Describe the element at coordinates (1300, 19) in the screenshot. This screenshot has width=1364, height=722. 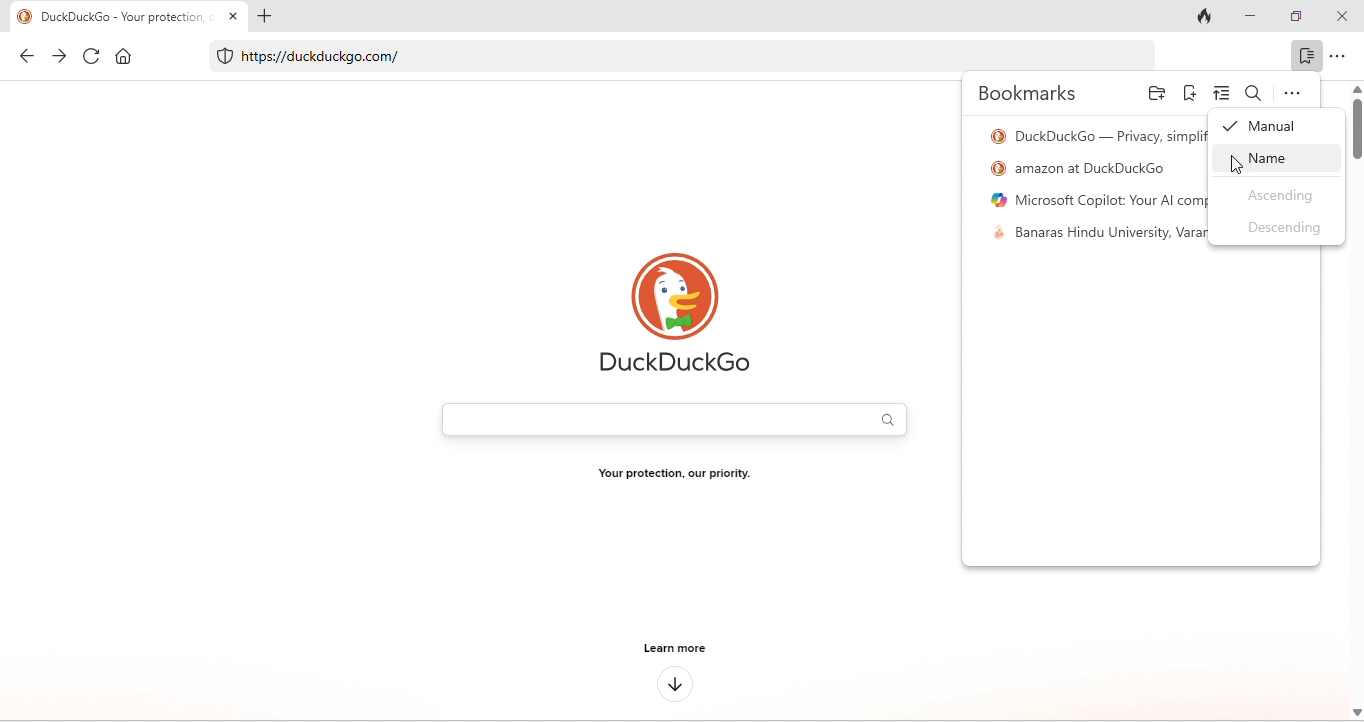
I see `maximize` at that location.